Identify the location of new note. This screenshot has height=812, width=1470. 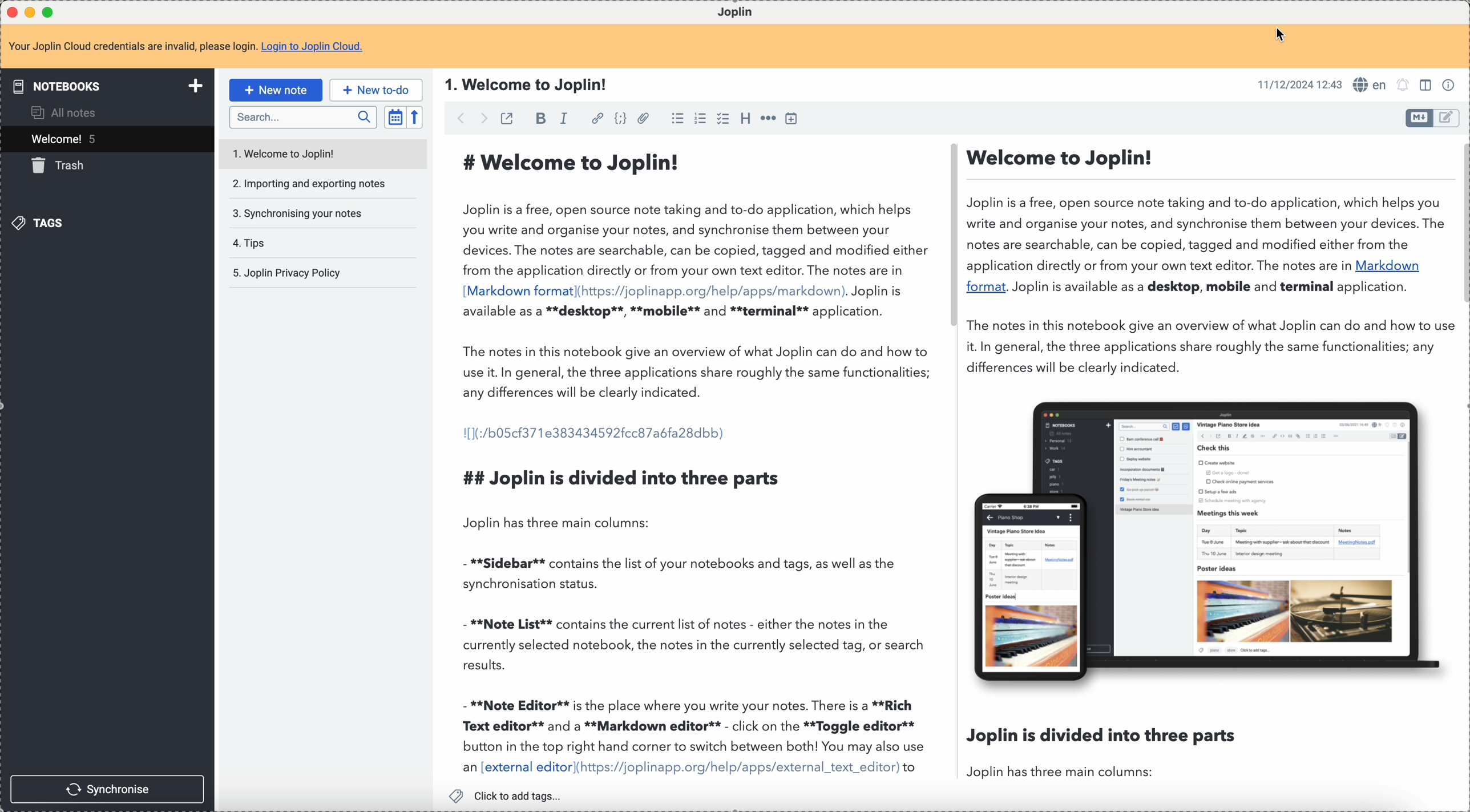
(274, 90).